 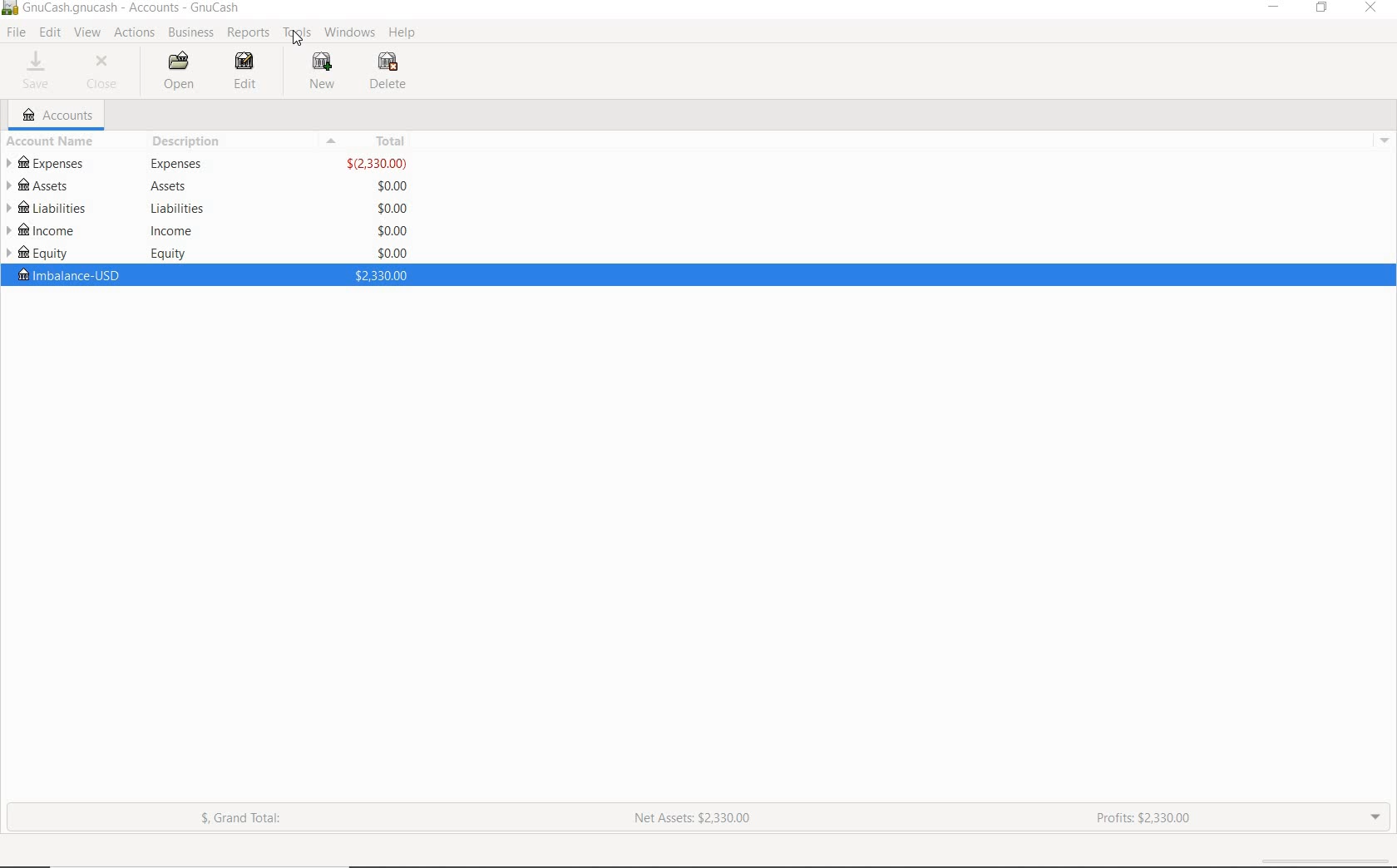 I want to click on INCOME, so click(x=205, y=230).